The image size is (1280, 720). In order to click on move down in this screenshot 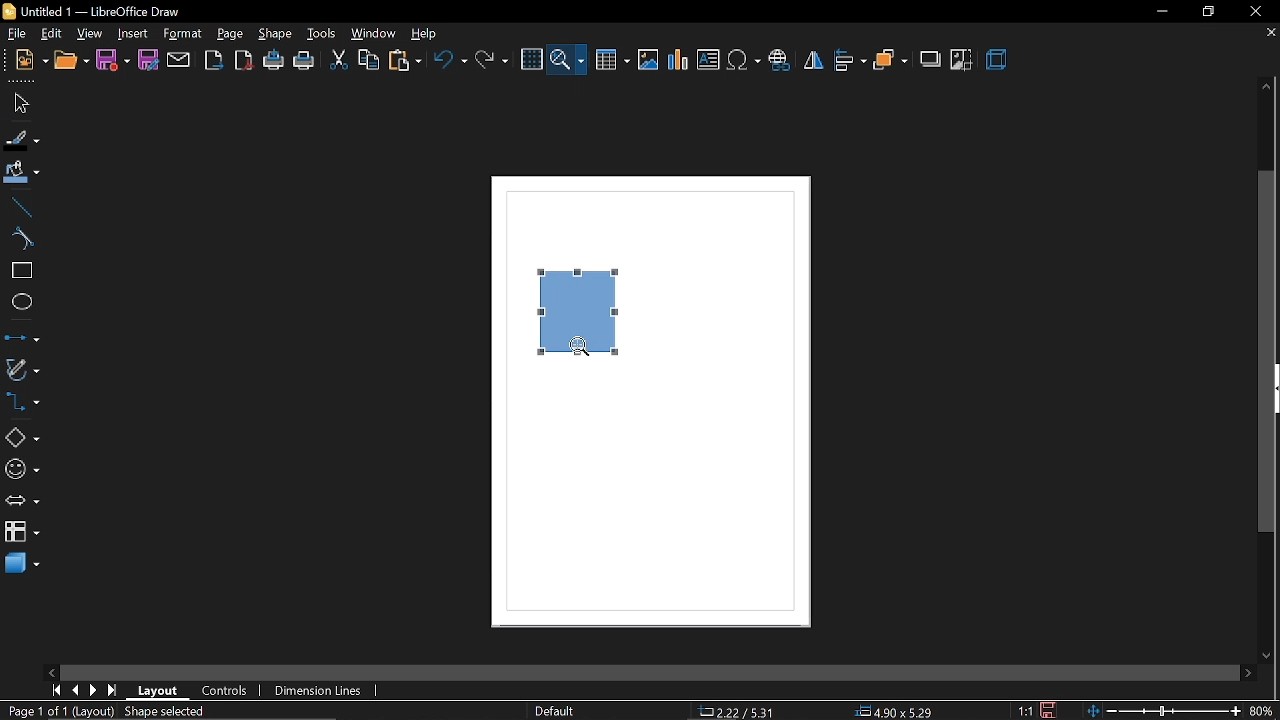, I will do `click(1270, 656)`.